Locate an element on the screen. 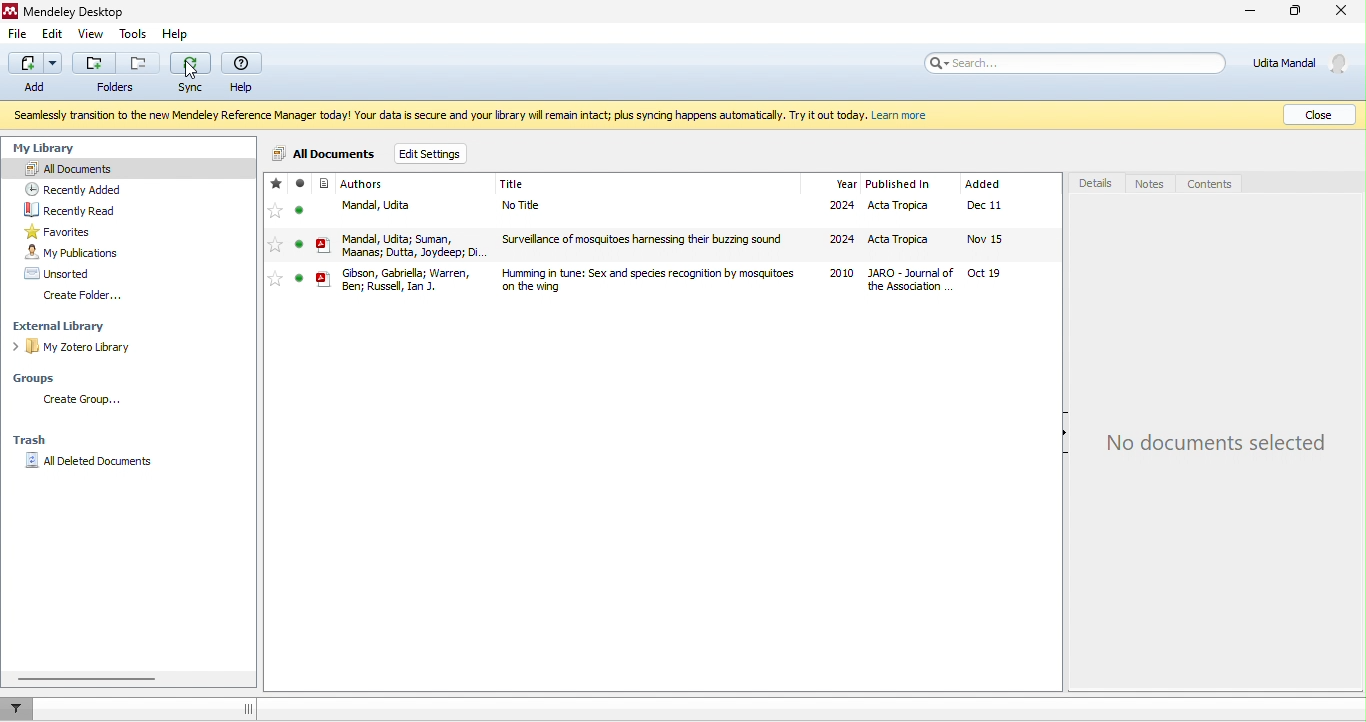 This screenshot has width=1366, height=722. file is located at coordinates (653, 278).